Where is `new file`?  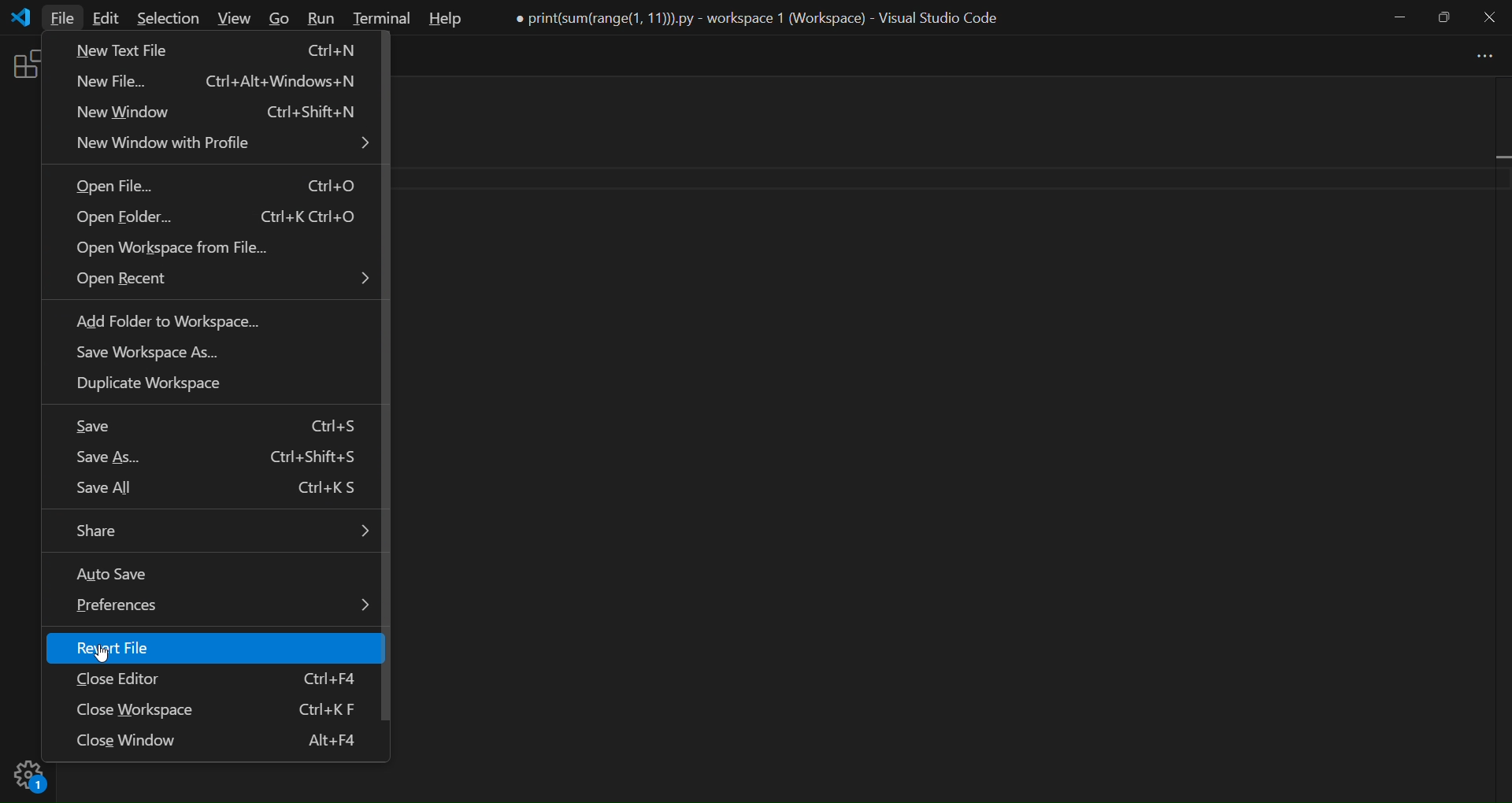 new file is located at coordinates (217, 83).